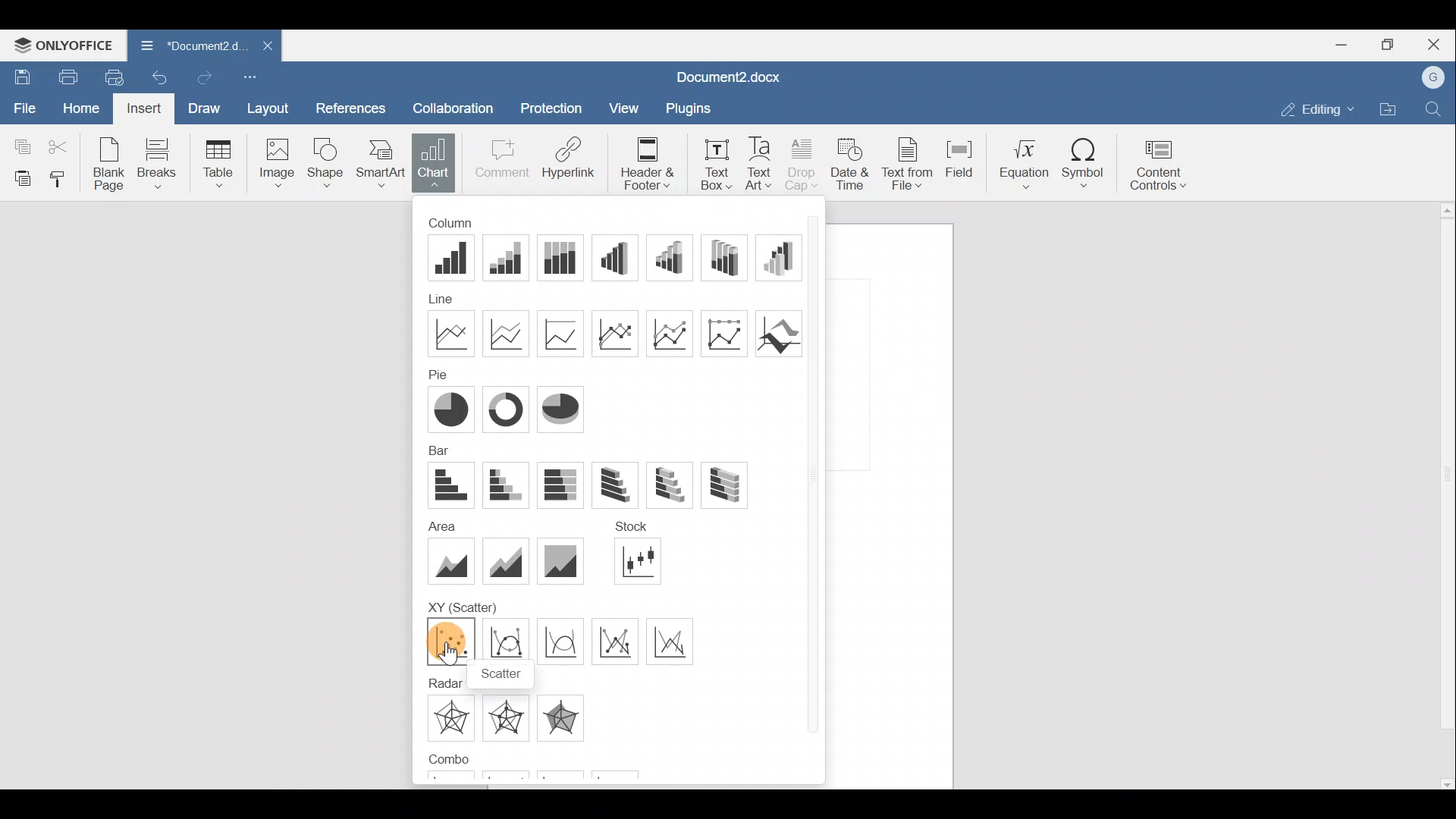 This screenshot has width=1456, height=819. I want to click on Field, so click(962, 162).